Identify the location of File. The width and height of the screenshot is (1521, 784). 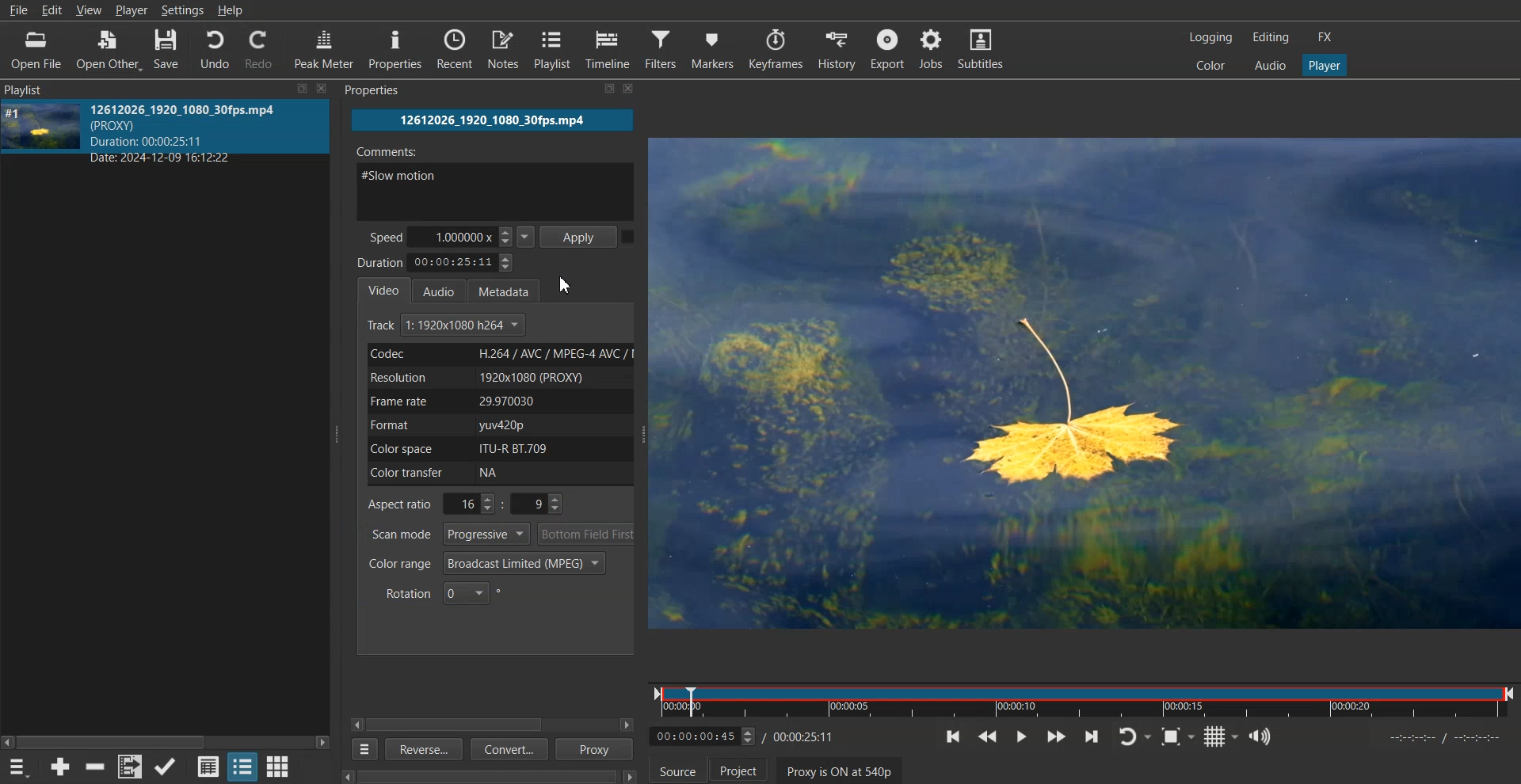
(18, 10).